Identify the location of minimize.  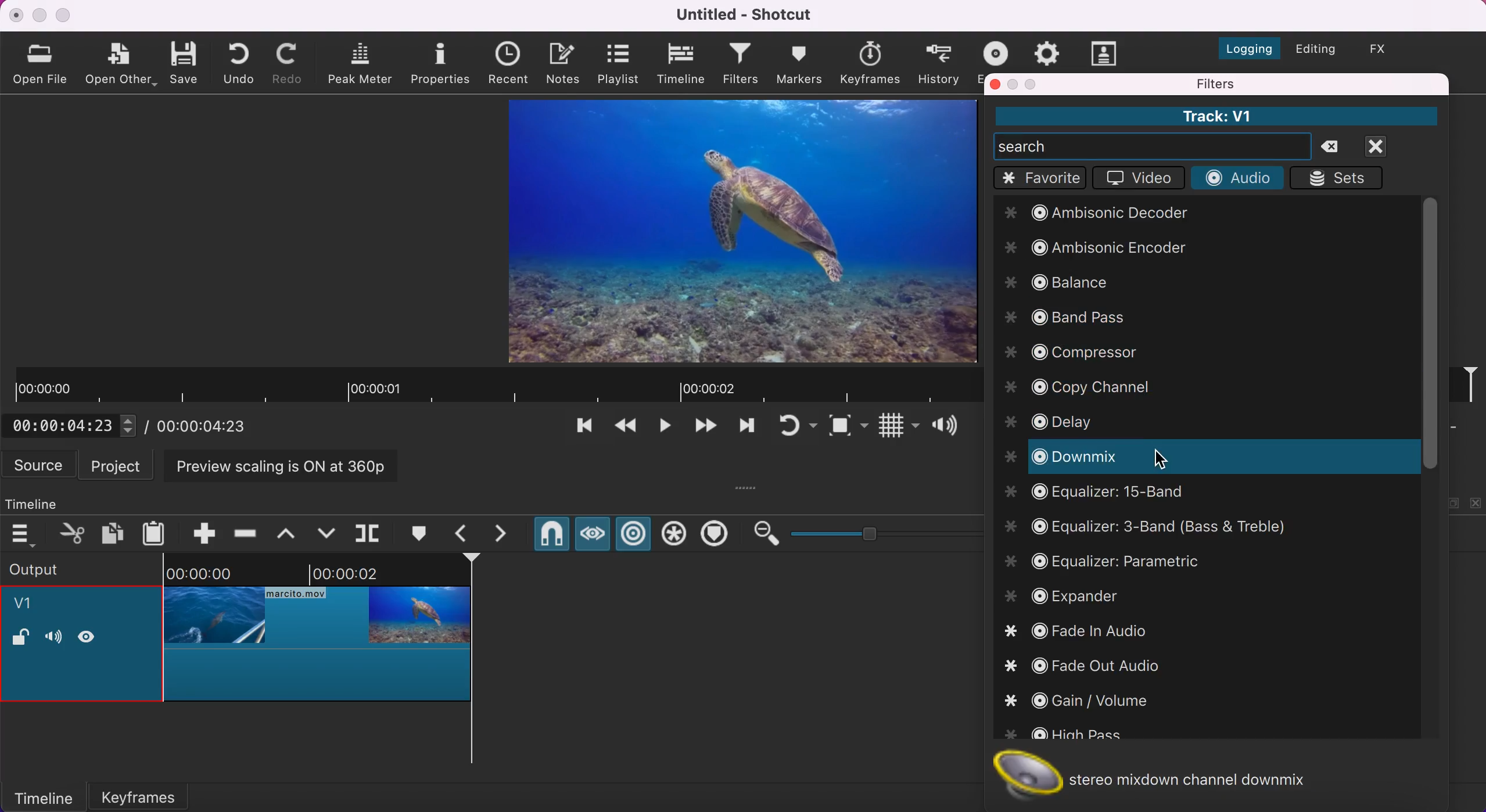
(39, 15).